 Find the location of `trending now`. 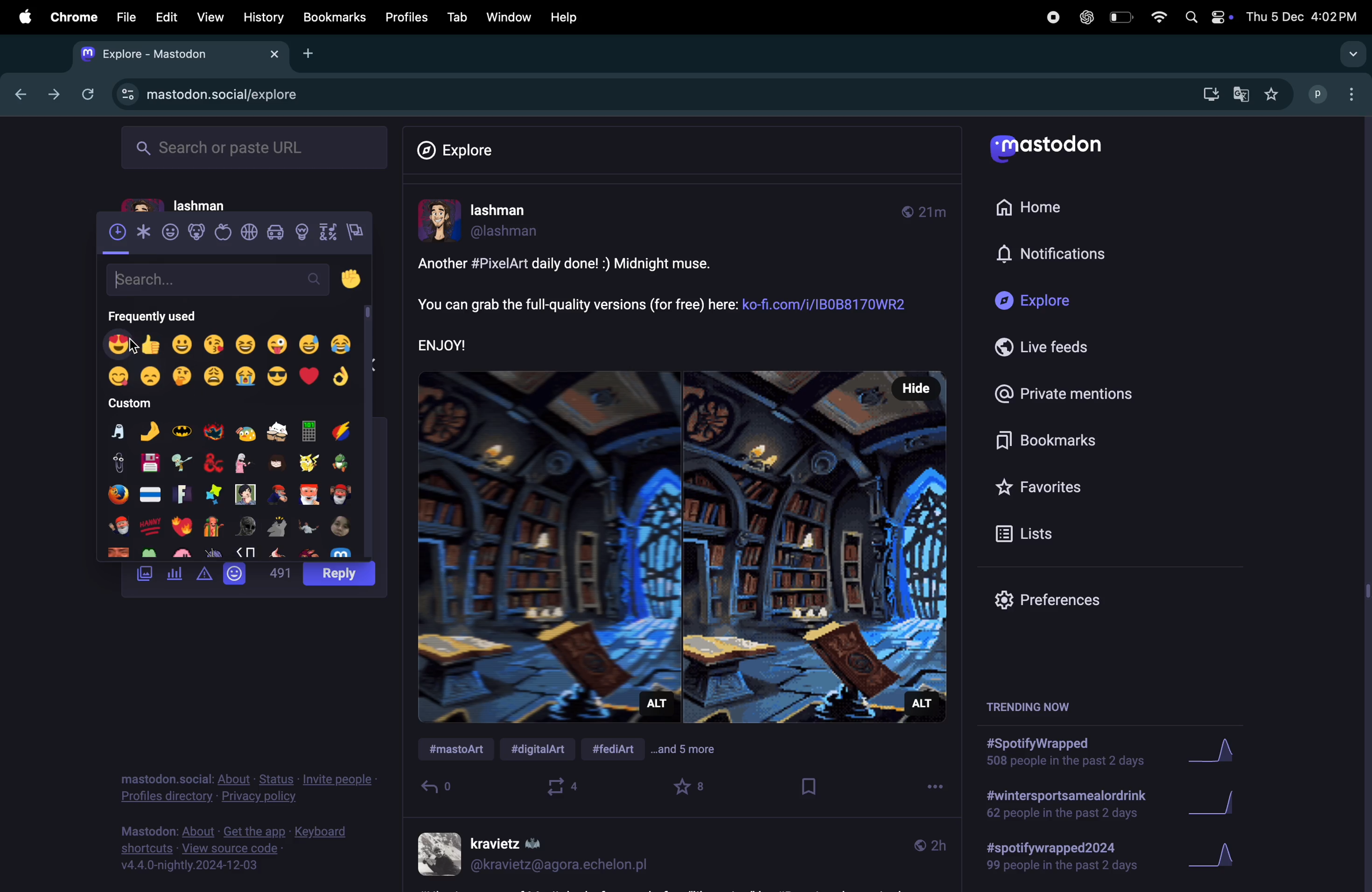

trending now is located at coordinates (1026, 709).